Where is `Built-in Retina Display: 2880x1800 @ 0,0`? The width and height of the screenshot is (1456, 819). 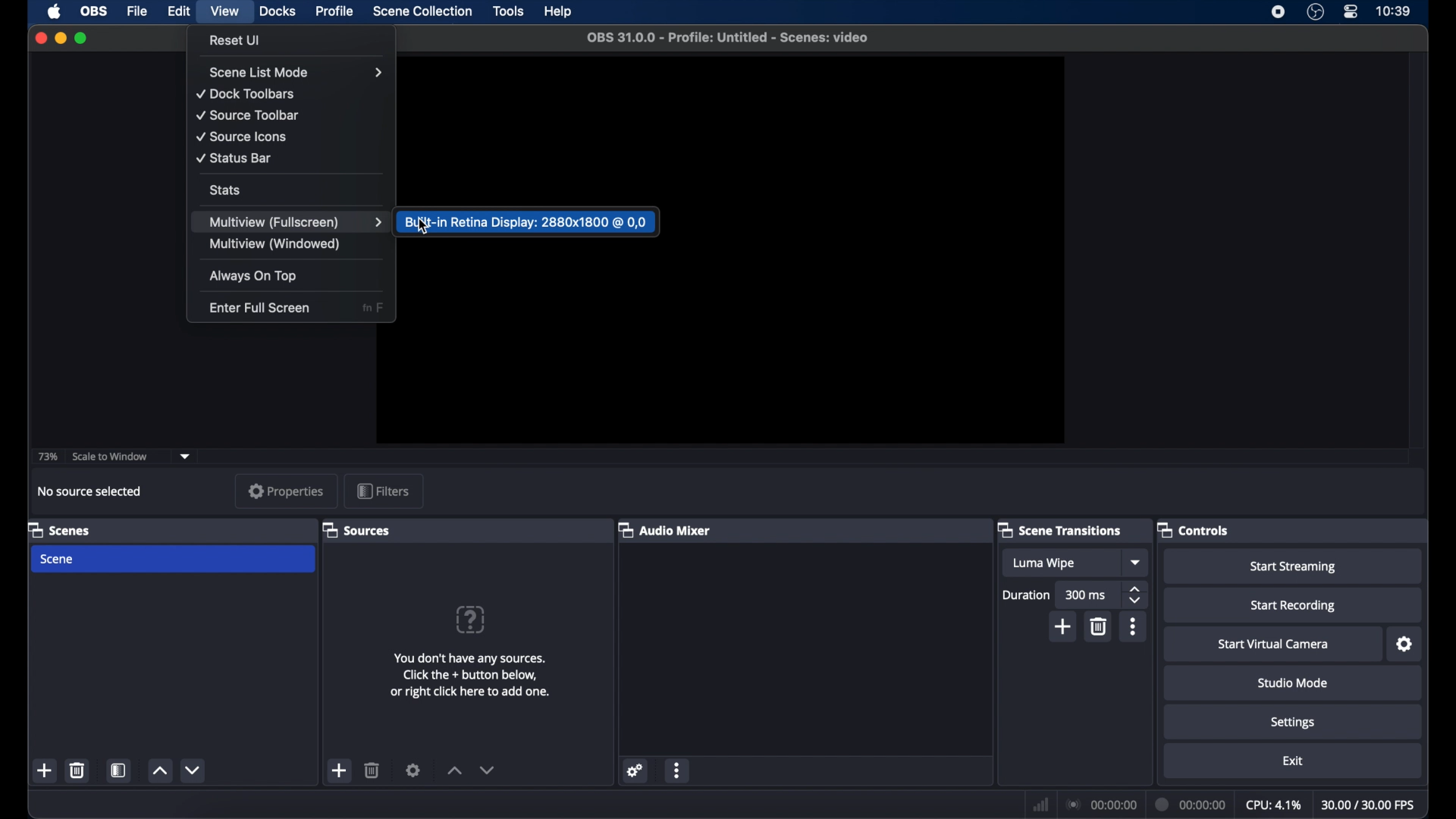
Built-in Retina Display: 2880x1800 @ 0,0 is located at coordinates (526, 220).